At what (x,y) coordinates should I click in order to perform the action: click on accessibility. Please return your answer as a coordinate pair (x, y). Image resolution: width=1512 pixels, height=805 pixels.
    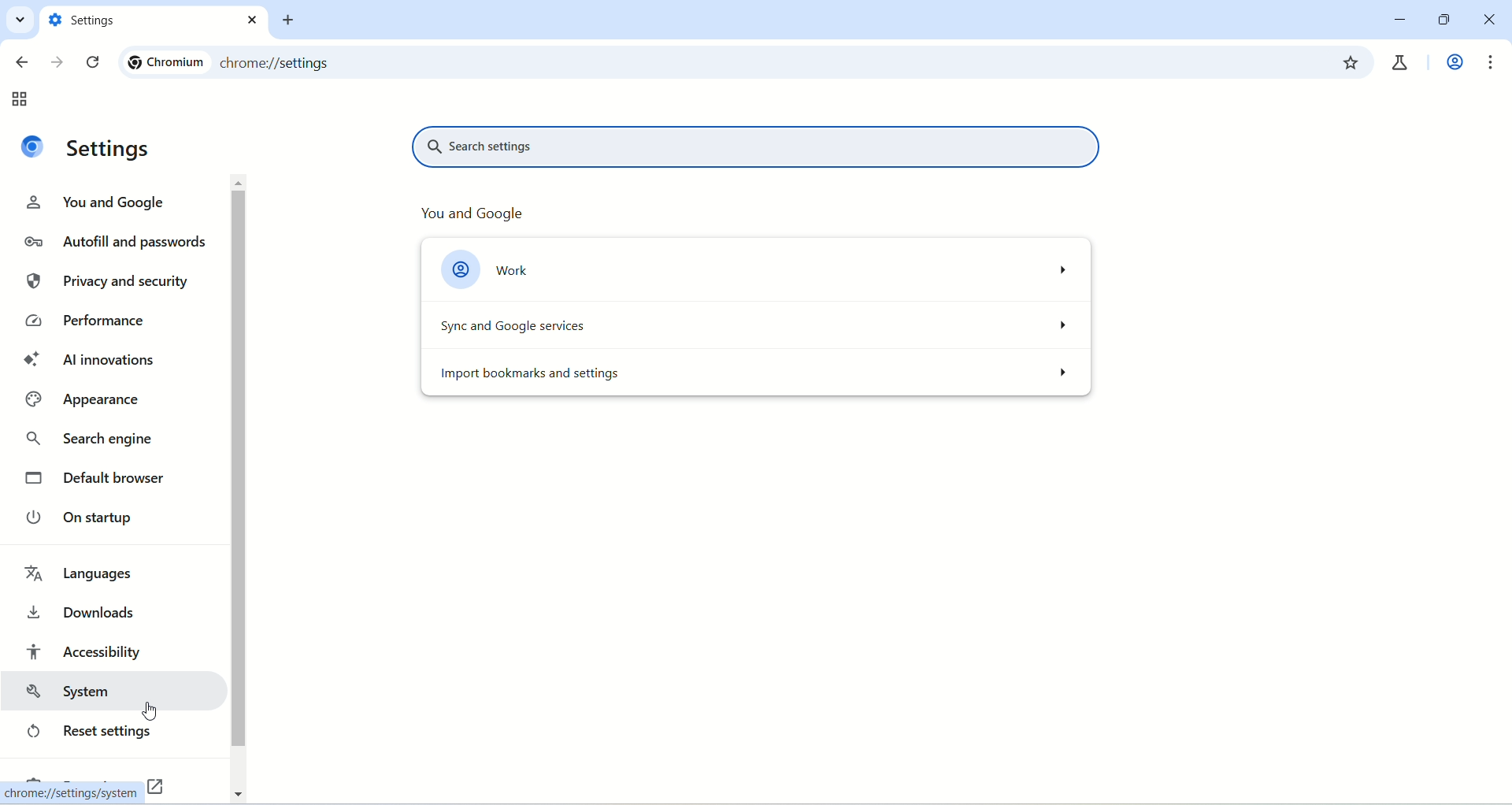
    Looking at the image, I should click on (87, 648).